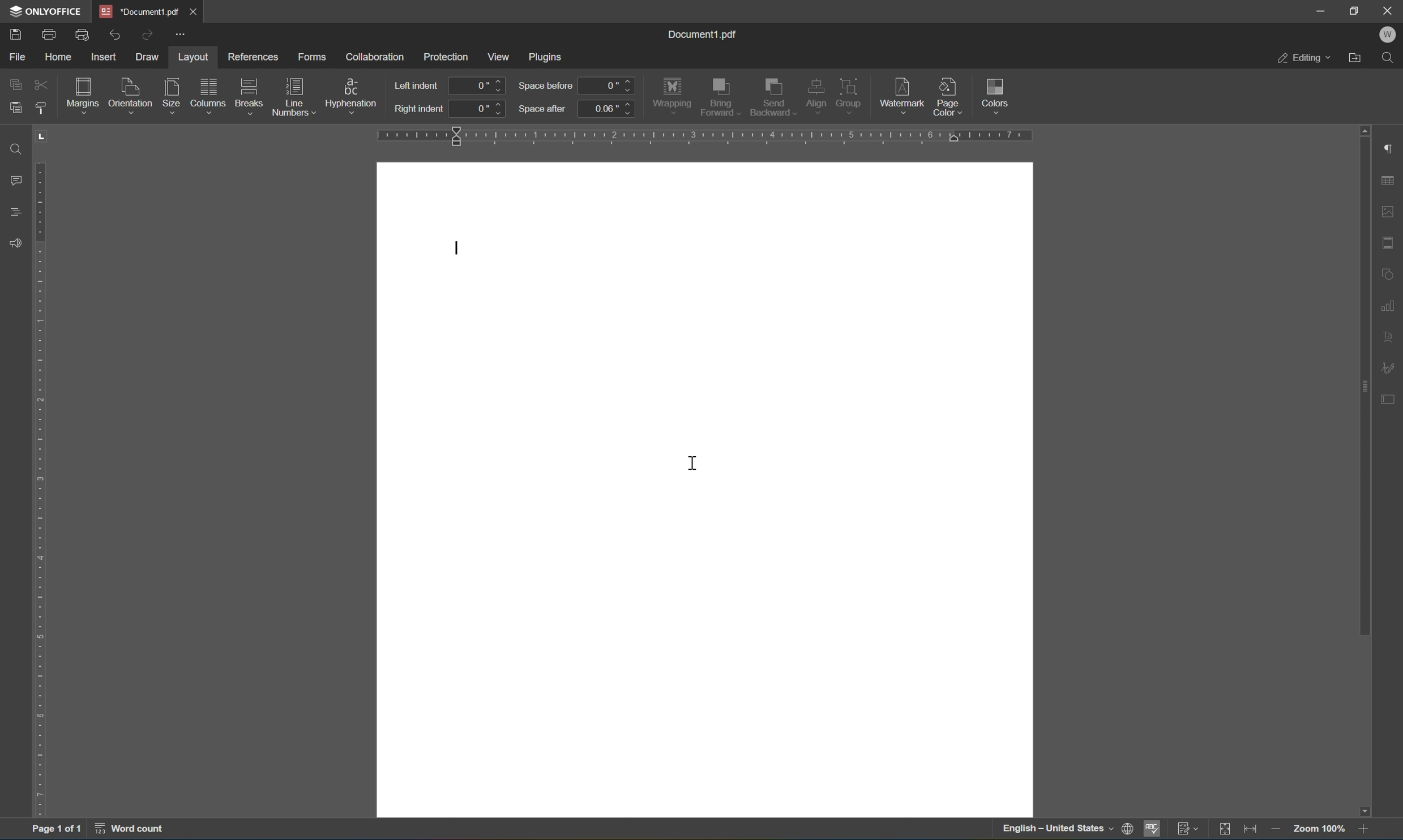 The height and width of the screenshot is (840, 1403). What do you see at coordinates (198, 10) in the screenshot?
I see `close` at bounding box center [198, 10].